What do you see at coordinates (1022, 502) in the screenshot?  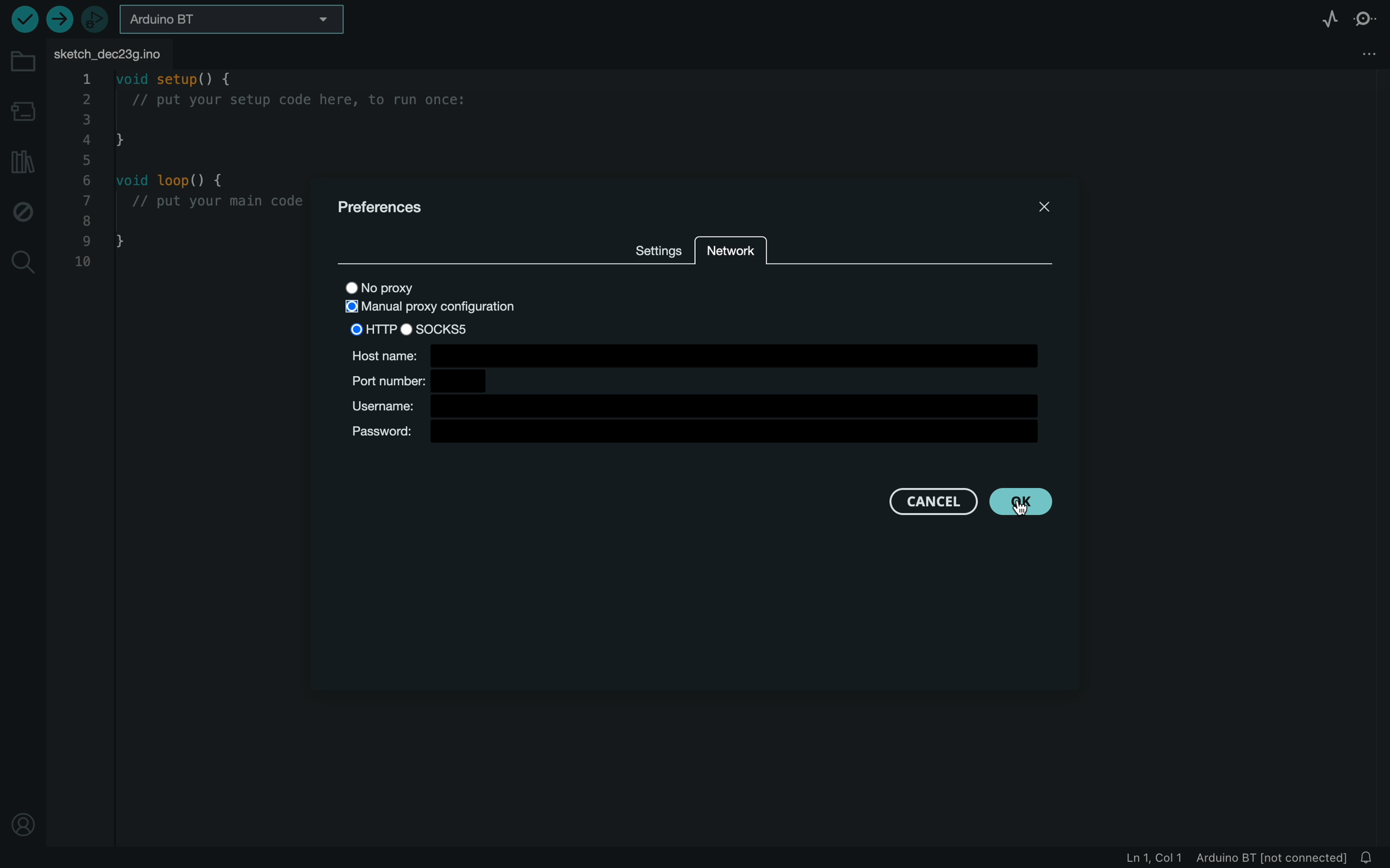 I see `CLICKED` at bounding box center [1022, 502].